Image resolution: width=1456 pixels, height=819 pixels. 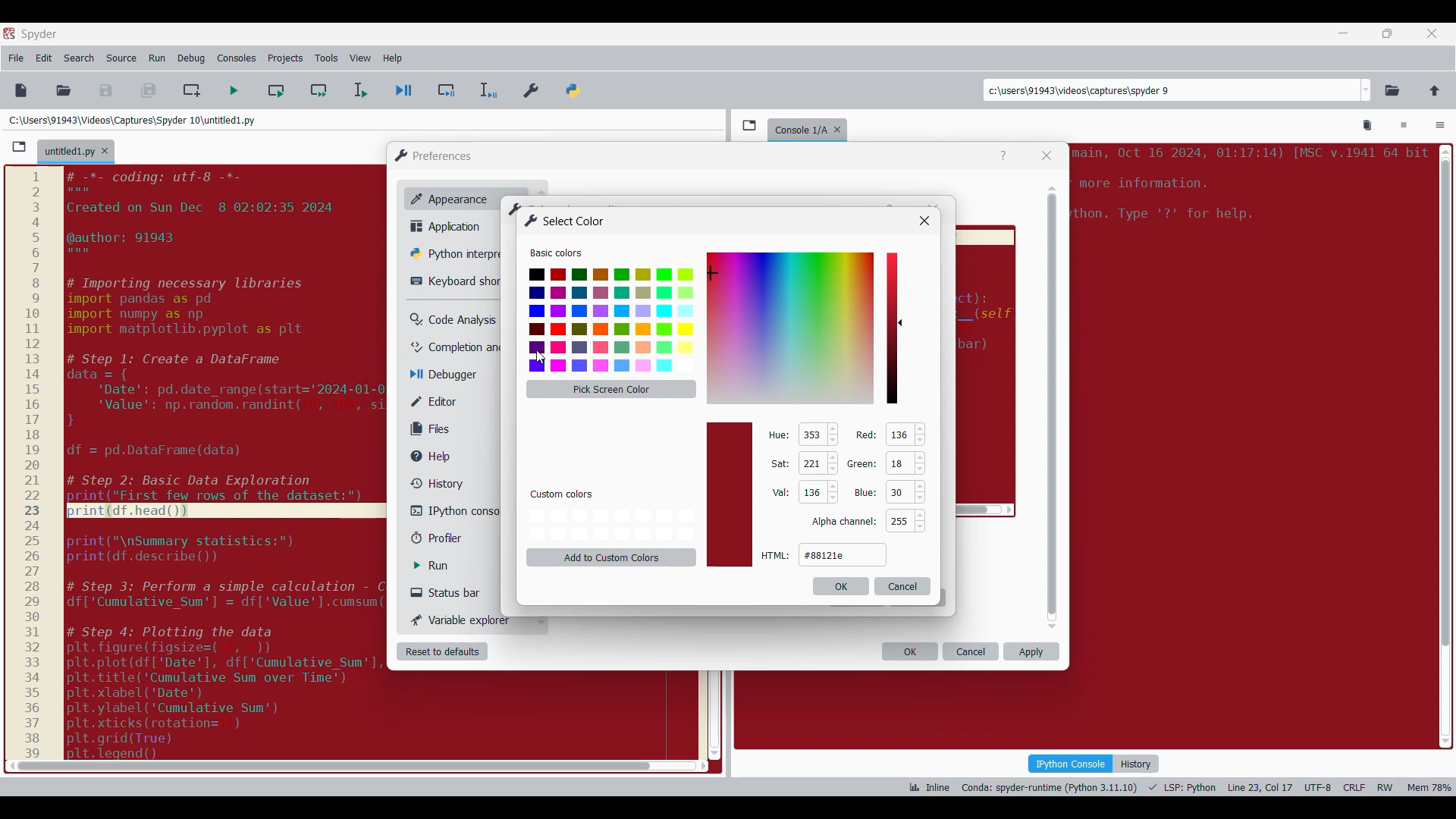 What do you see at coordinates (326, 58) in the screenshot?
I see `Tools menu` at bounding box center [326, 58].